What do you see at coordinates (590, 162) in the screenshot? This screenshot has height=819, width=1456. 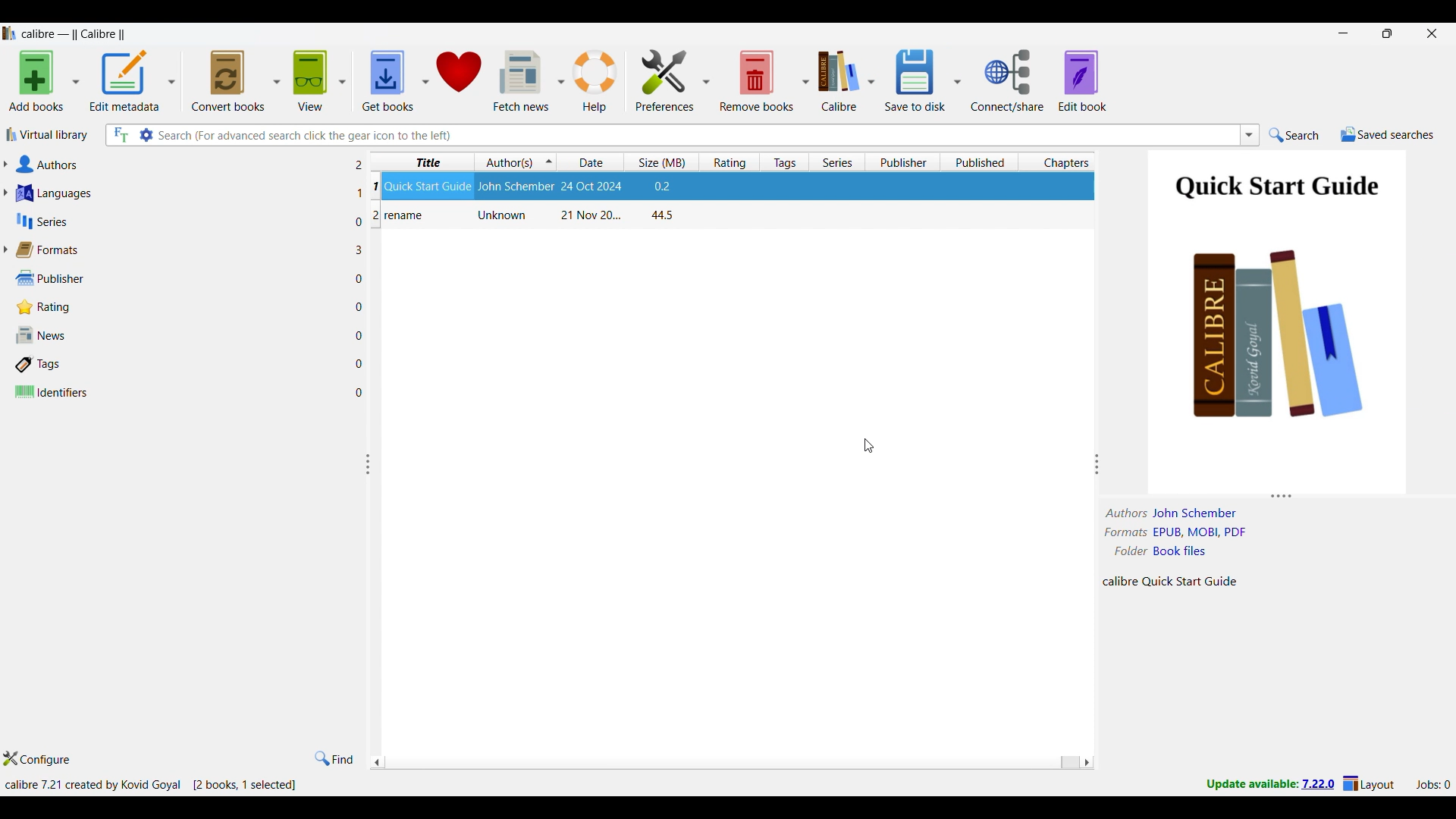 I see `Date column` at bounding box center [590, 162].